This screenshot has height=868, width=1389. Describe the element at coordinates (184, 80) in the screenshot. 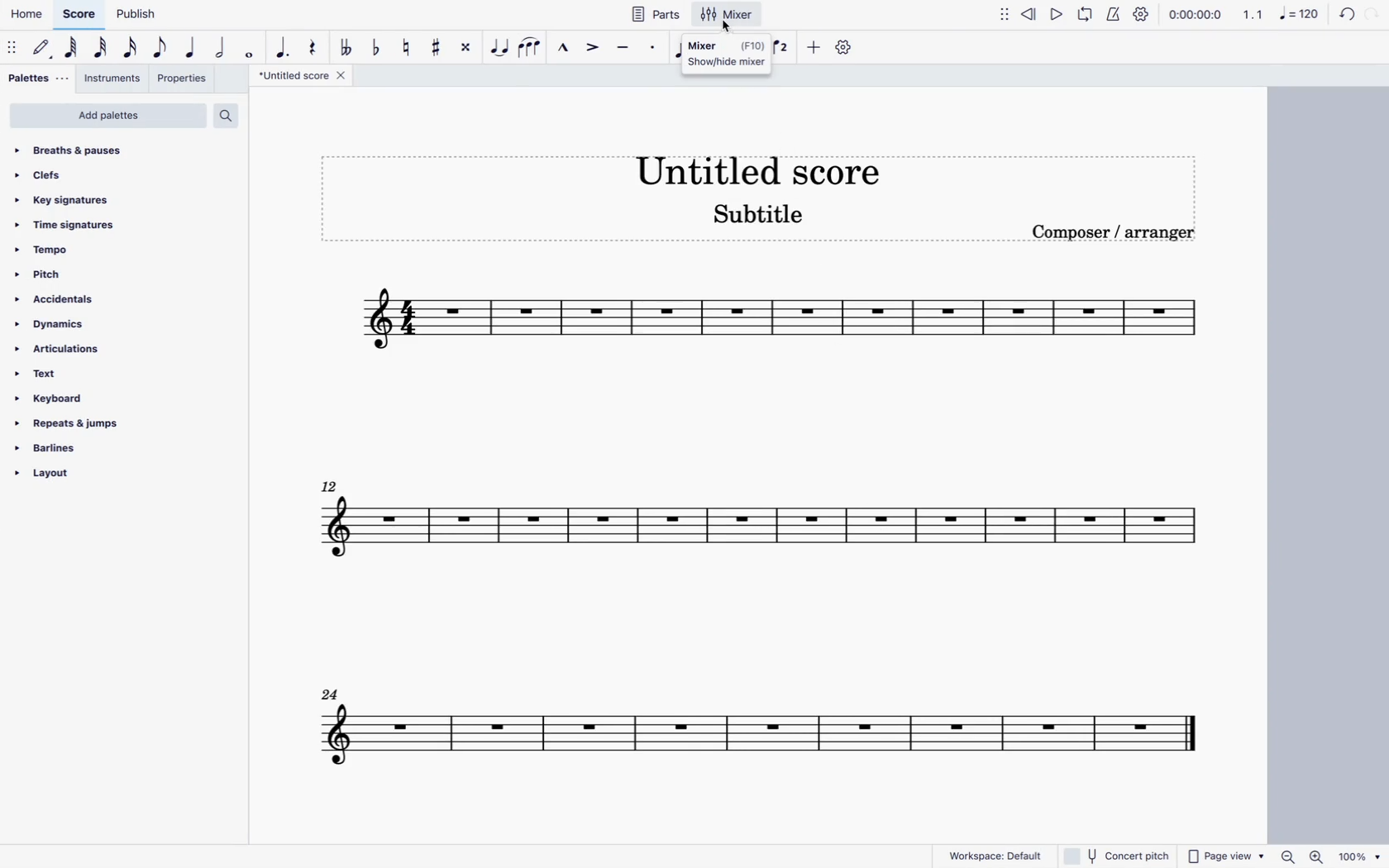

I see `properties` at that location.